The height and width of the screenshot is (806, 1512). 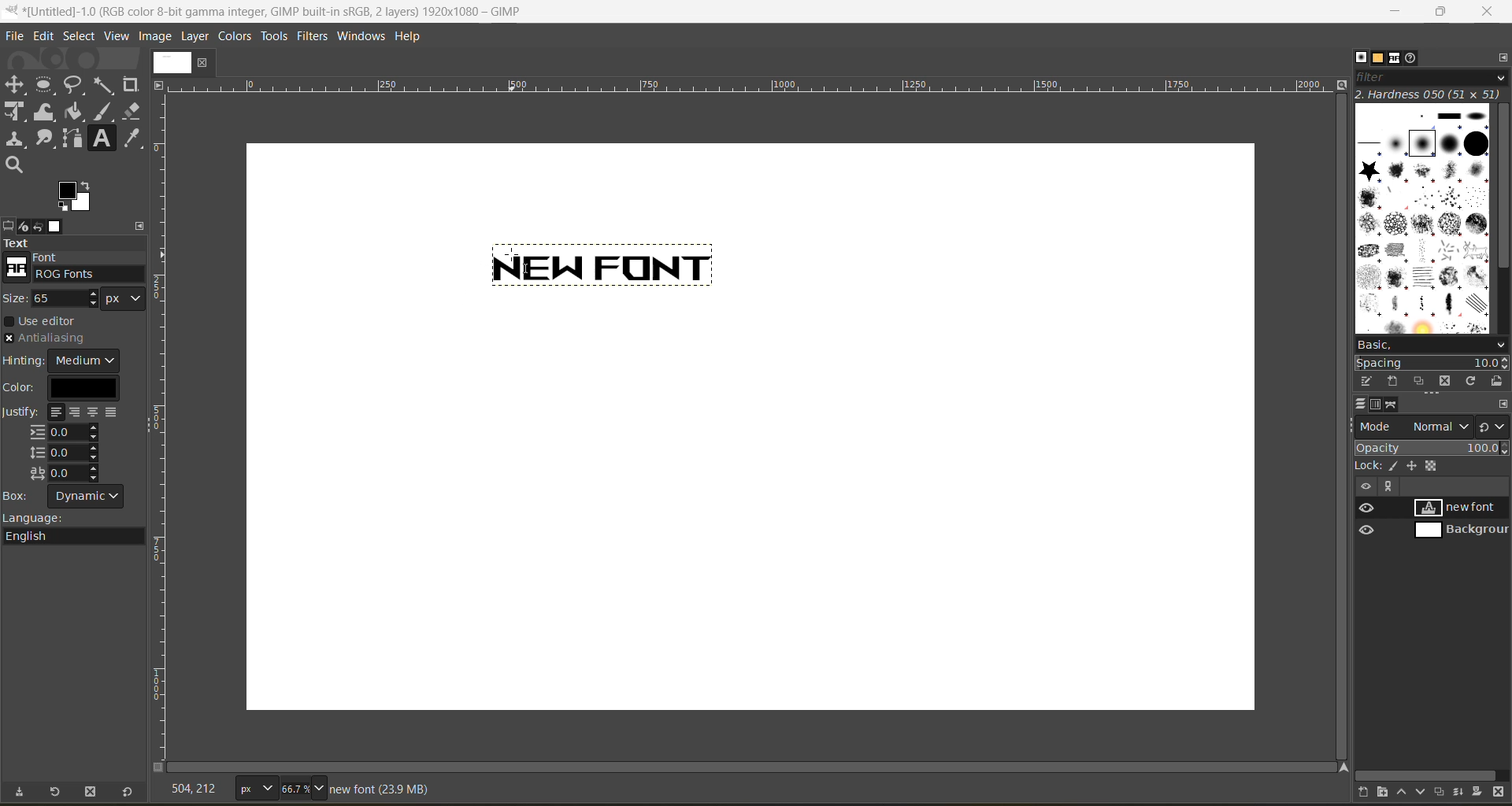 What do you see at coordinates (1441, 791) in the screenshot?
I see `create a duplicate` at bounding box center [1441, 791].